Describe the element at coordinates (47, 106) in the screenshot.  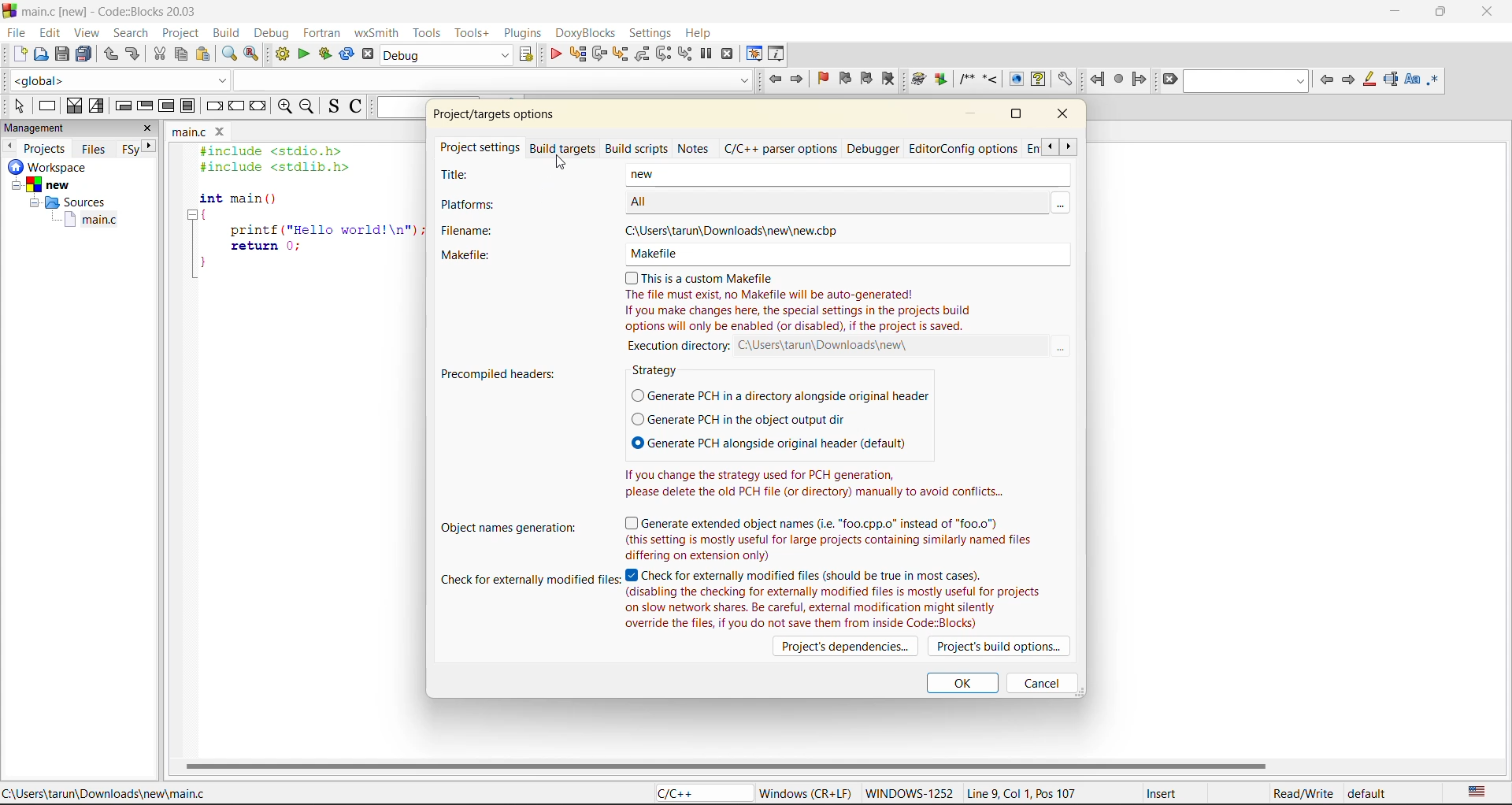
I see `instruction` at that location.